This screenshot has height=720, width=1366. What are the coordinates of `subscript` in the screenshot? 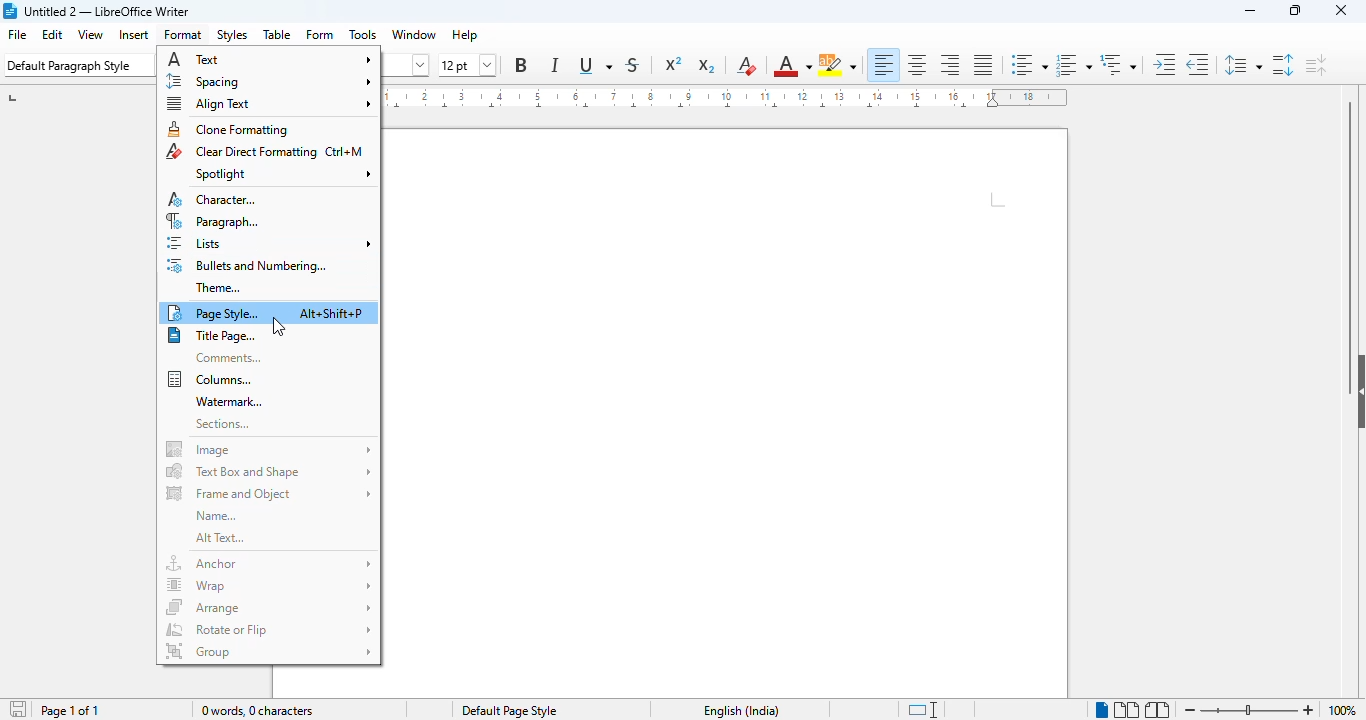 It's located at (706, 66).